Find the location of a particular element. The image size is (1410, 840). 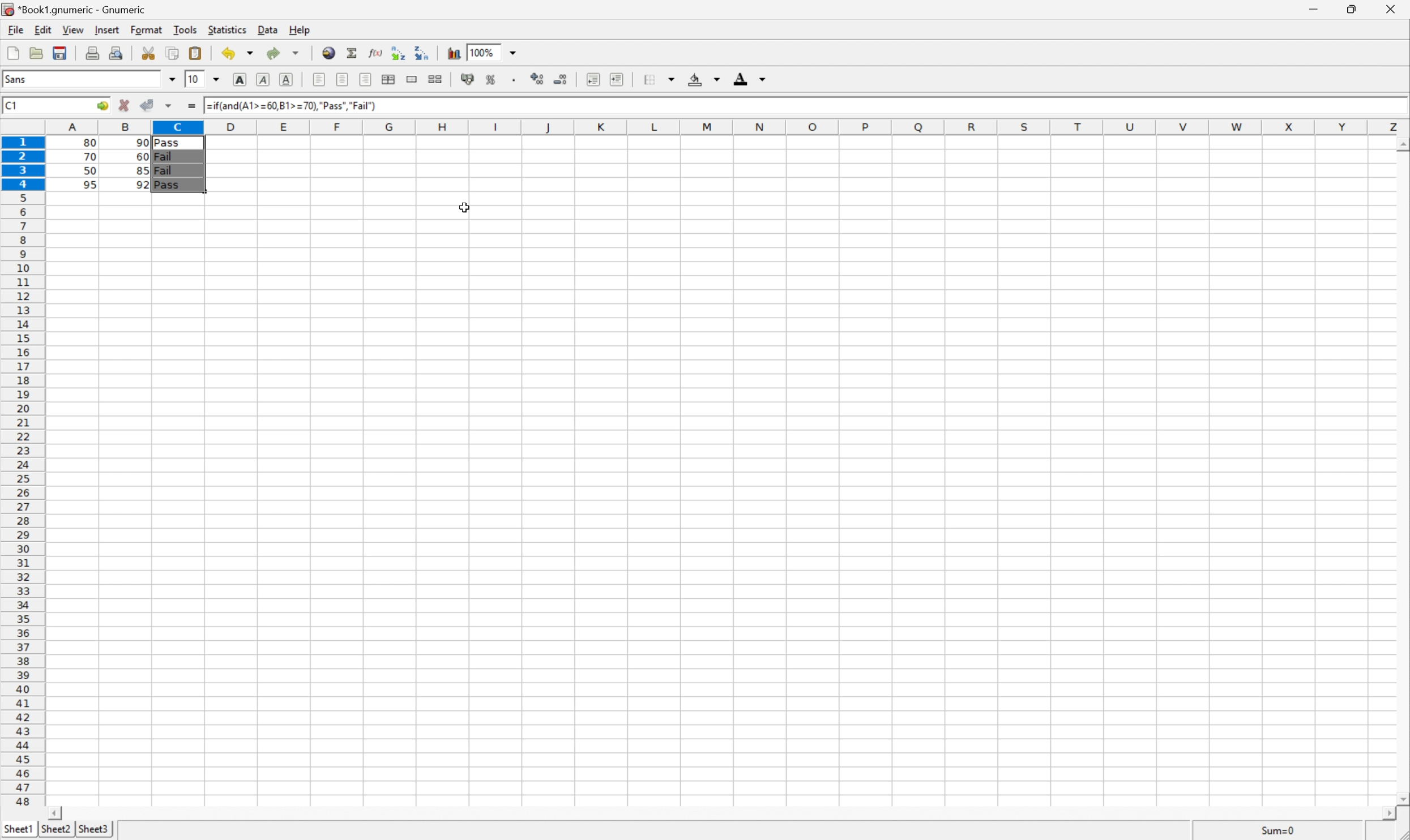

Increase indent, and align the contents to the left is located at coordinates (593, 78).